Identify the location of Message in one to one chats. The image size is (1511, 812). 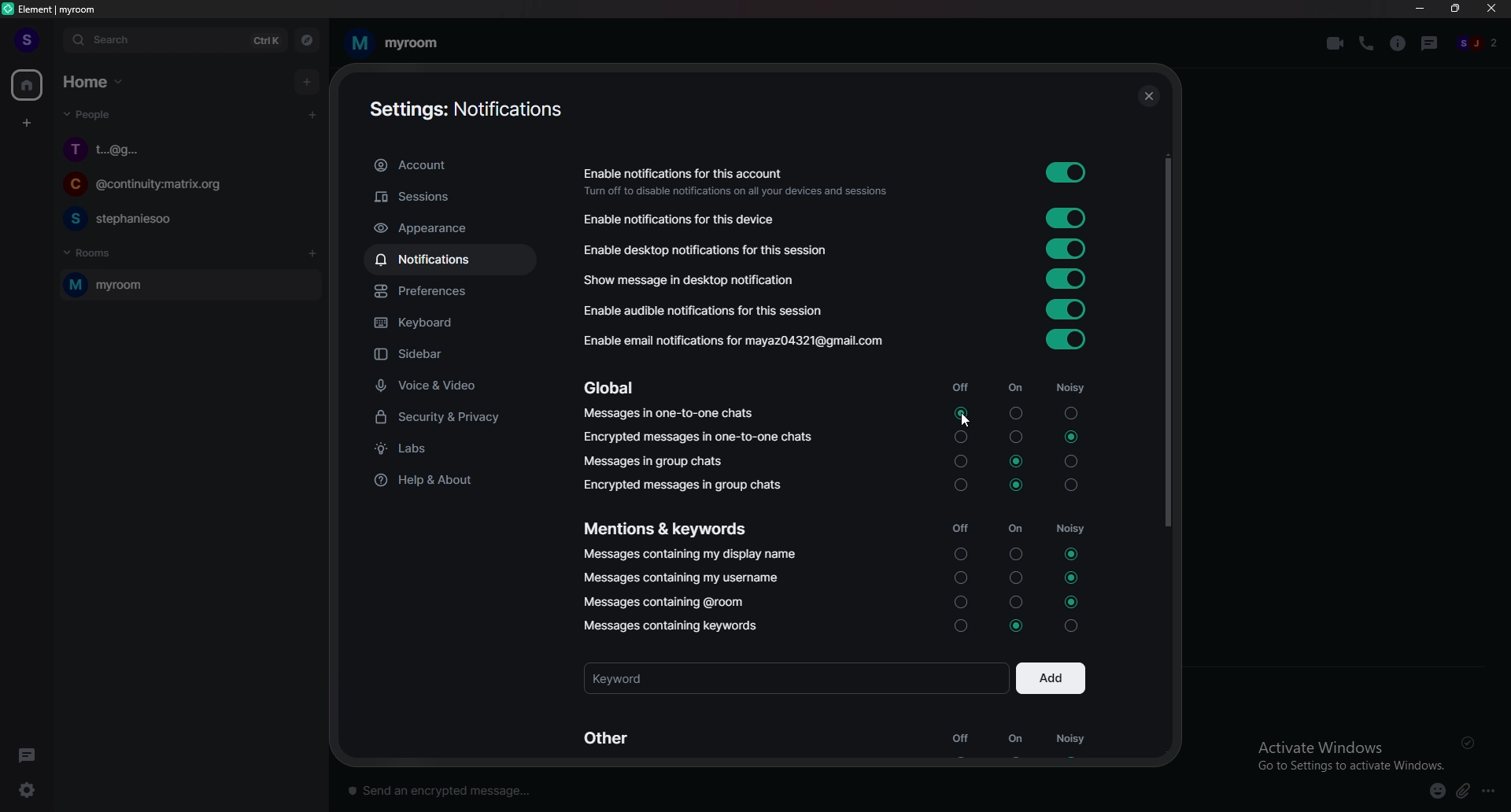
(671, 415).